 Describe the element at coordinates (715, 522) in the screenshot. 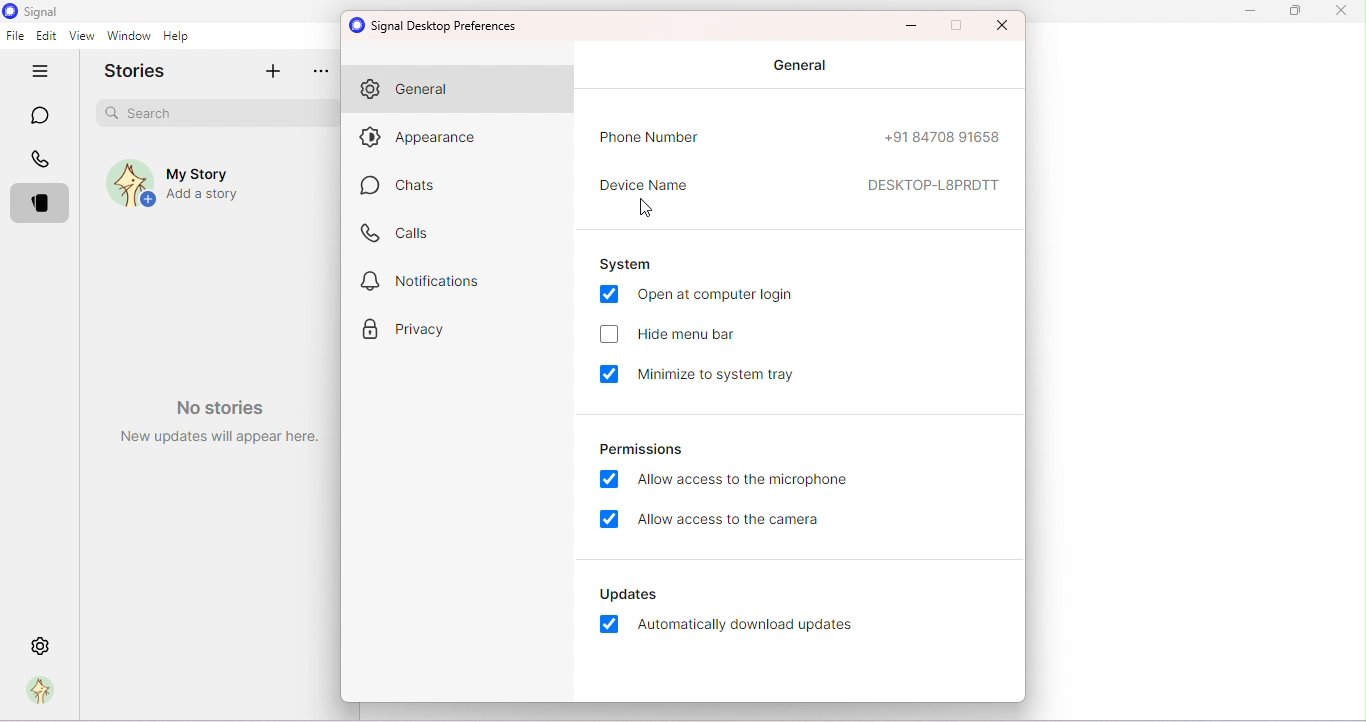

I see `Allow access to the camera` at that location.